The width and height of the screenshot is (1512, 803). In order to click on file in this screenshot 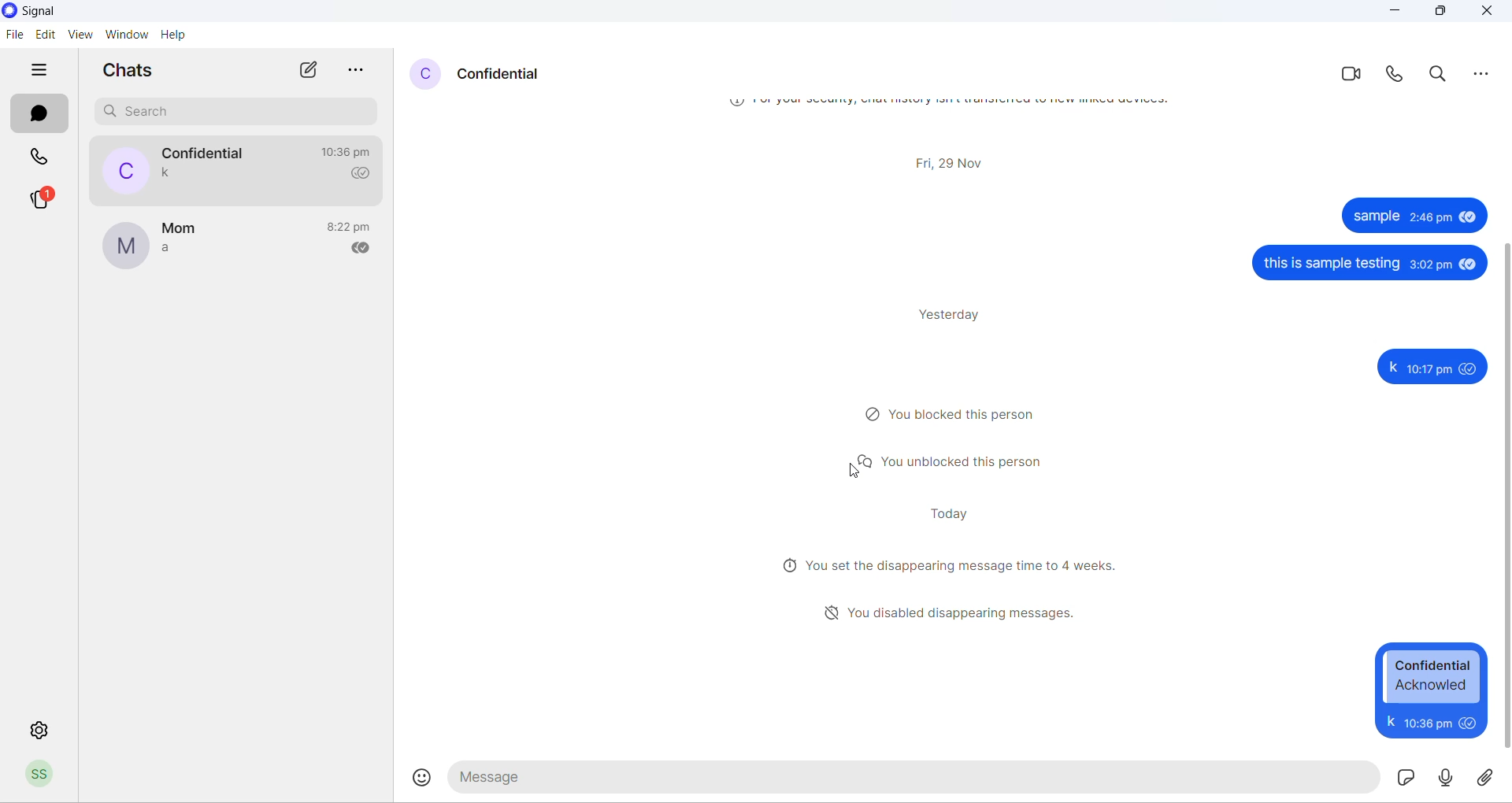, I will do `click(14, 35)`.